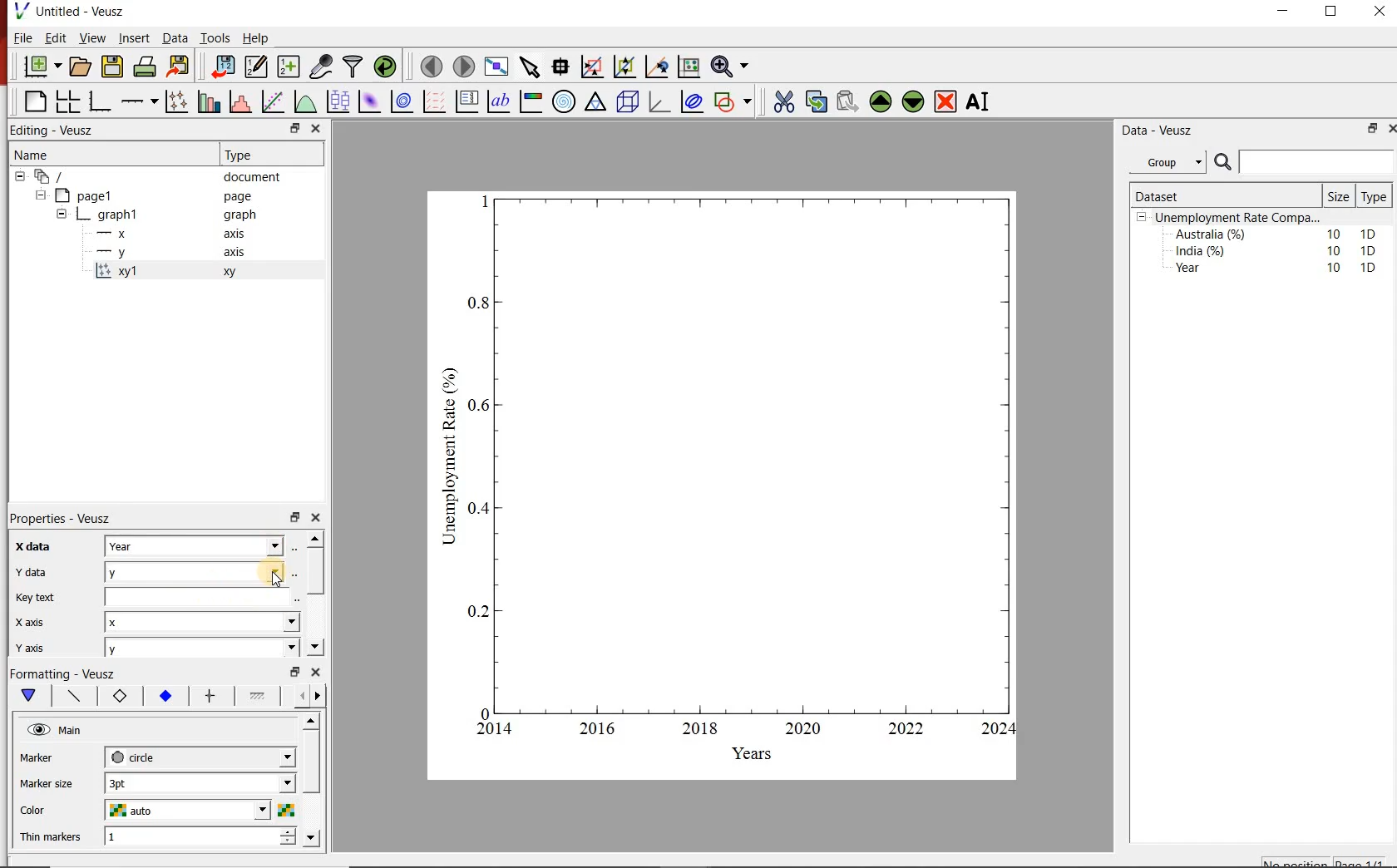  Describe the element at coordinates (258, 65) in the screenshot. I see `edit and enter new datasets` at that location.